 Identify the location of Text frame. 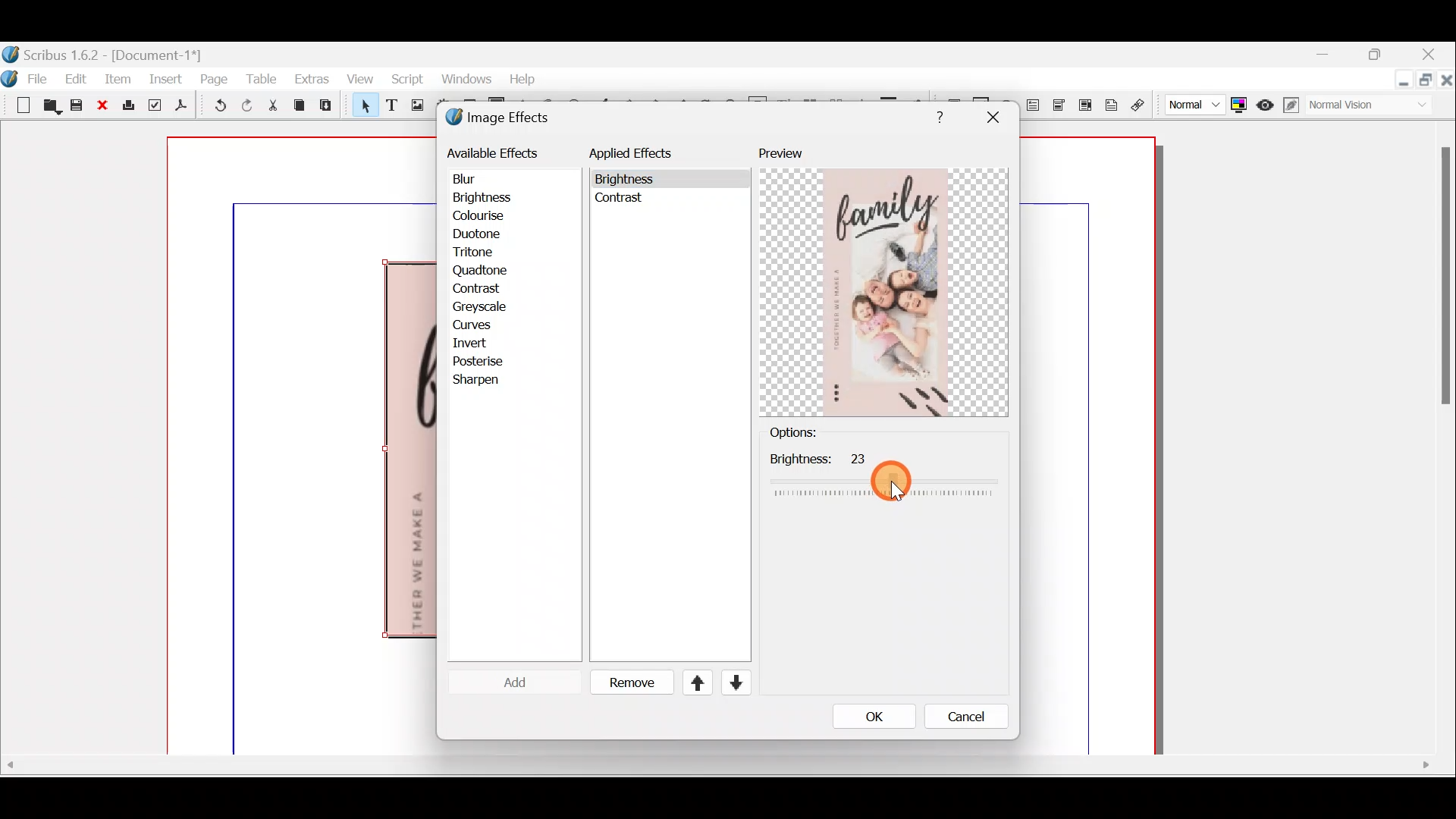
(391, 106).